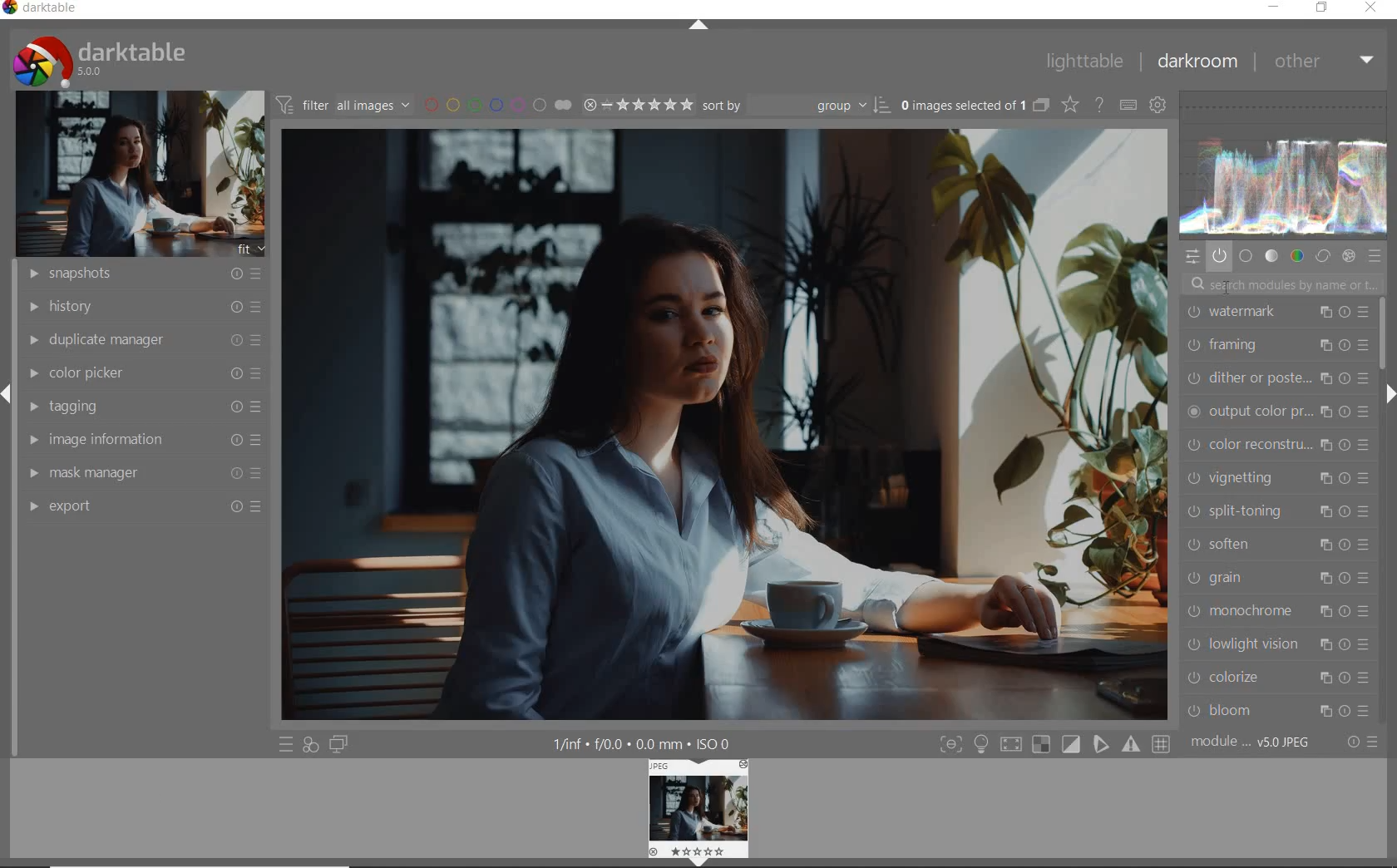  Describe the element at coordinates (1276, 712) in the screenshot. I see `bloom` at that location.